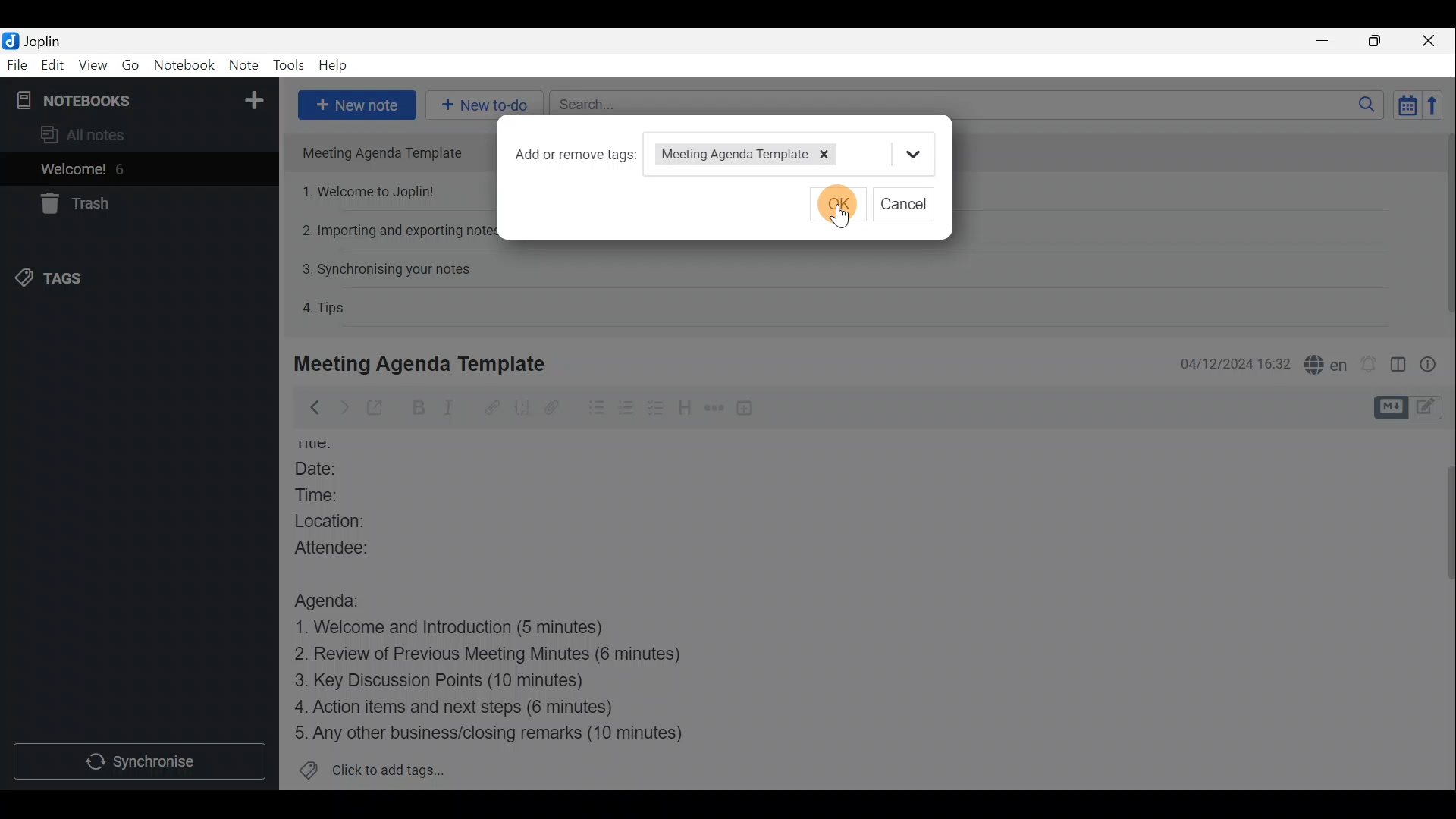 The image size is (1456, 819). I want to click on Minimise, so click(1325, 40).